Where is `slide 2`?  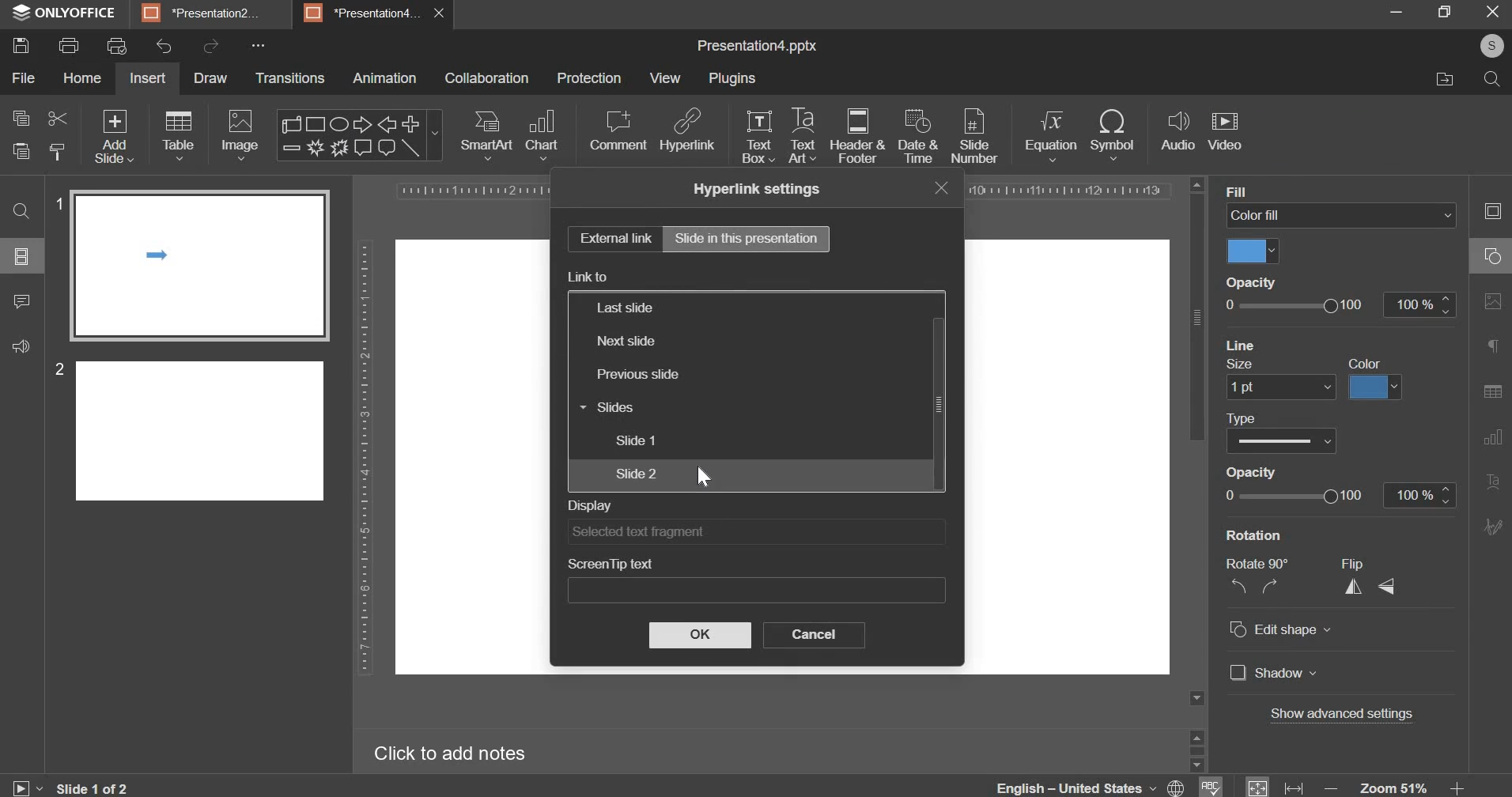
slide 2 is located at coordinates (635, 473).